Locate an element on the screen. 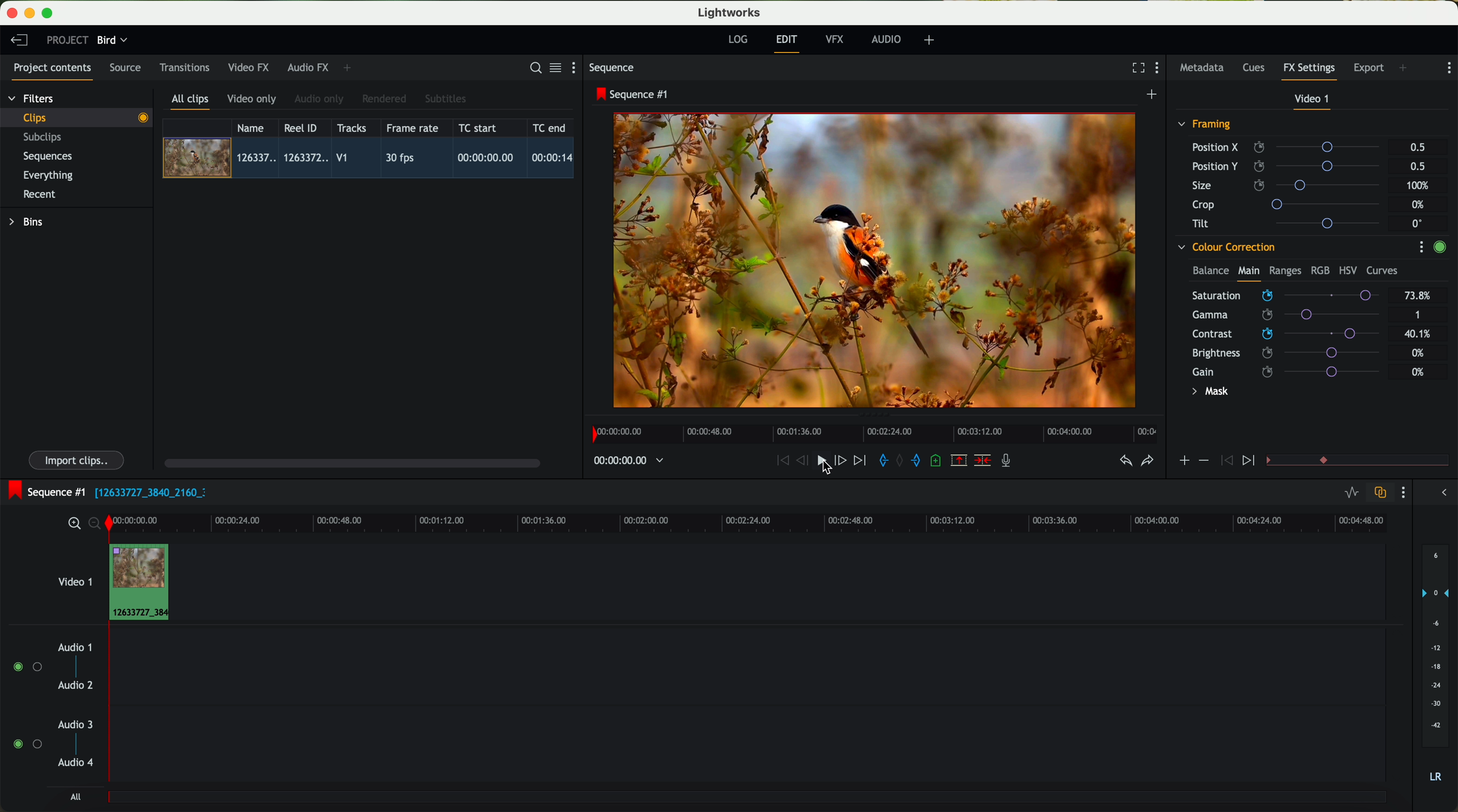 The width and height of the screenshot is (1458, 812). edit is located at coordinates (788, 42).